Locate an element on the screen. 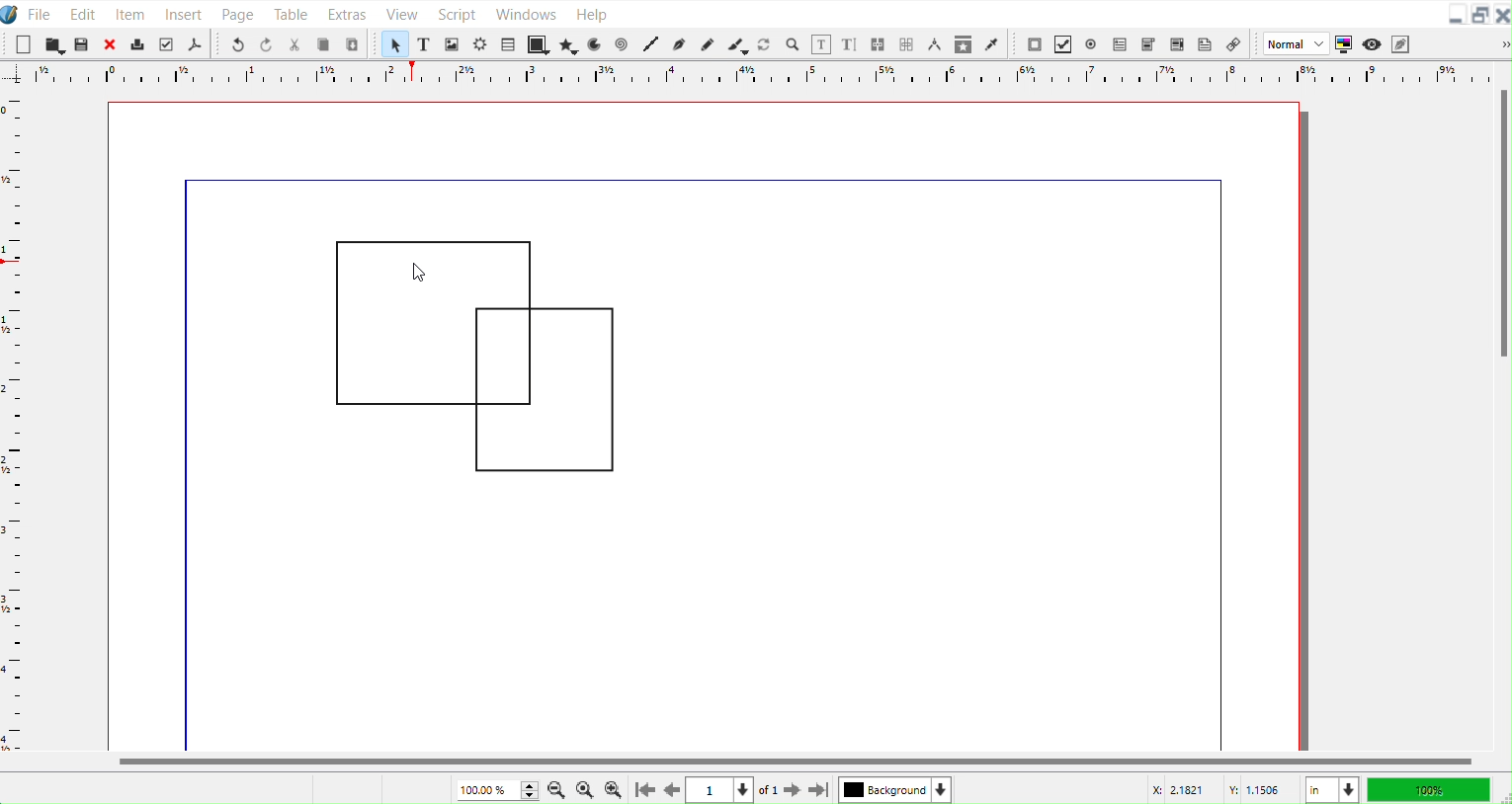  Shape  is located at coordinates (539, 43).